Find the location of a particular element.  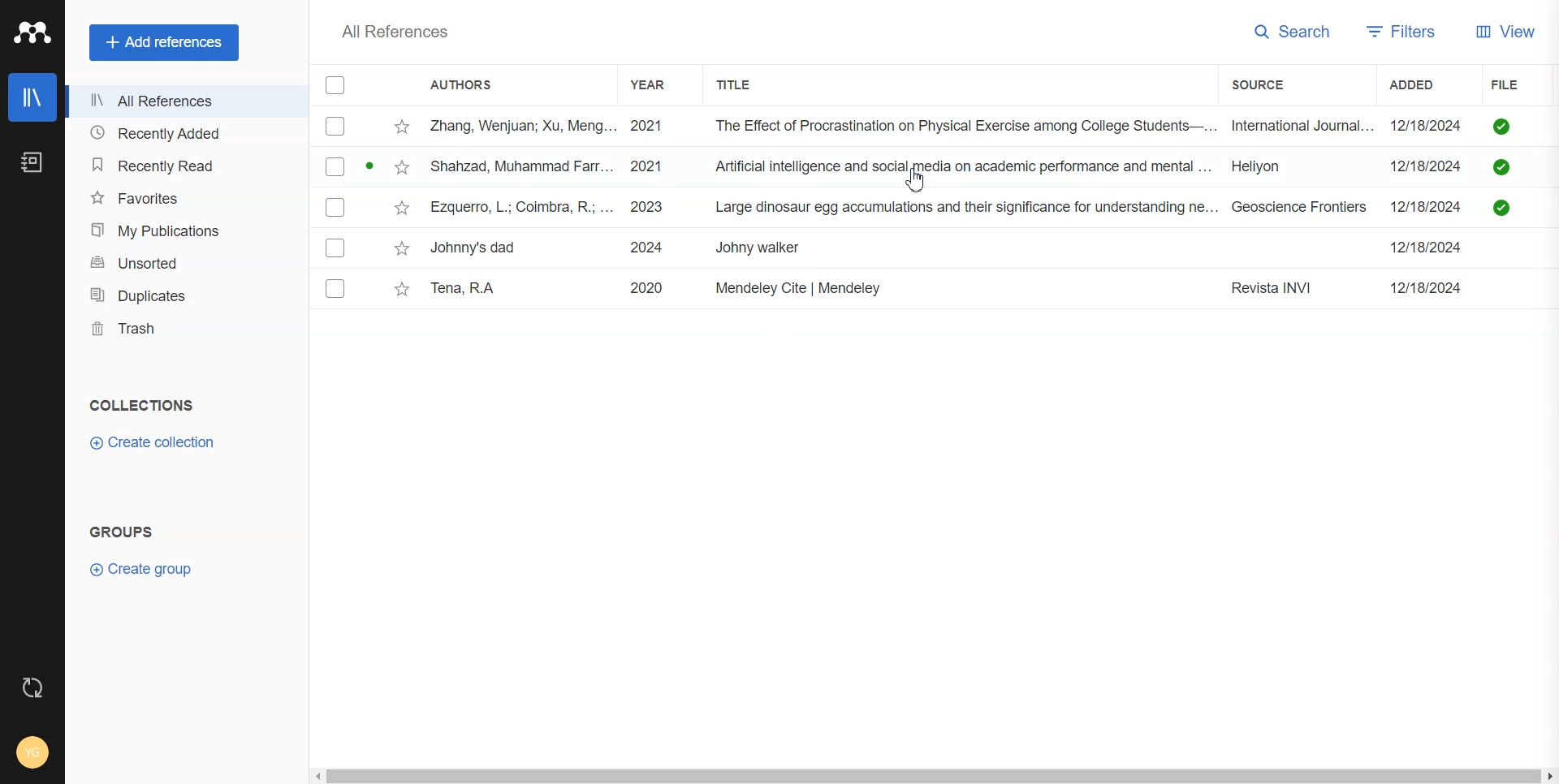

Added is located at coordinates (1424, 84).